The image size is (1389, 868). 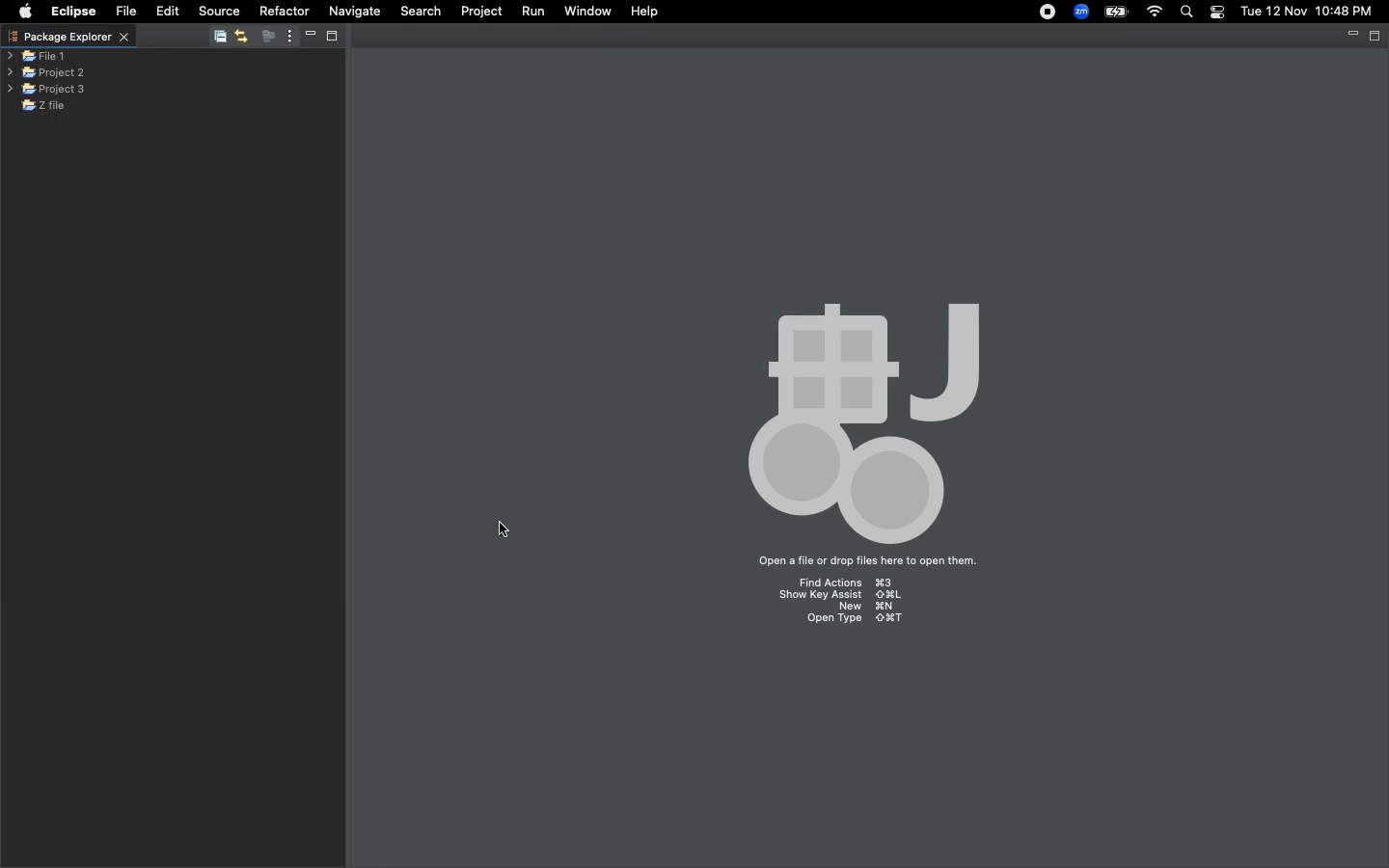 I want to click on Search, so click(x=422, y=13).